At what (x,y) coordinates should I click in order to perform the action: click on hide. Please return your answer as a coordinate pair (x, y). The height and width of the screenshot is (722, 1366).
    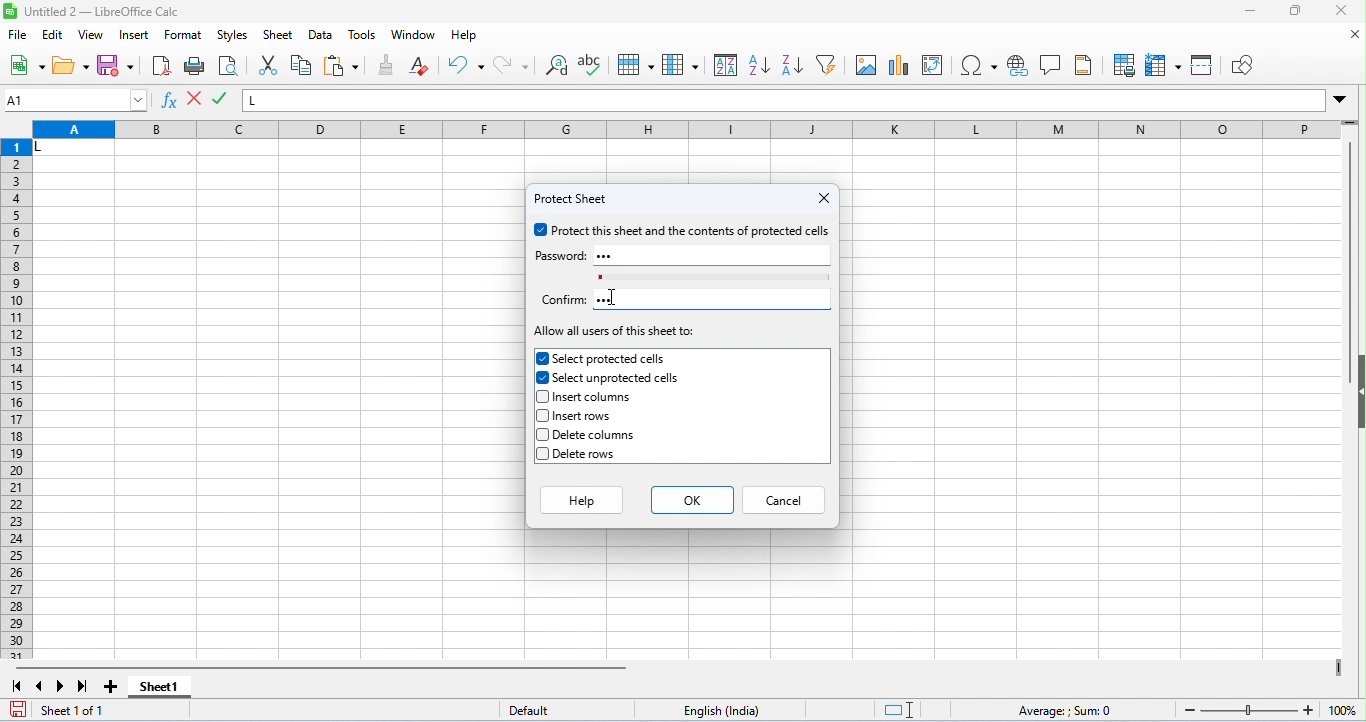
    Looking at the image, I should click on (1357, 390).